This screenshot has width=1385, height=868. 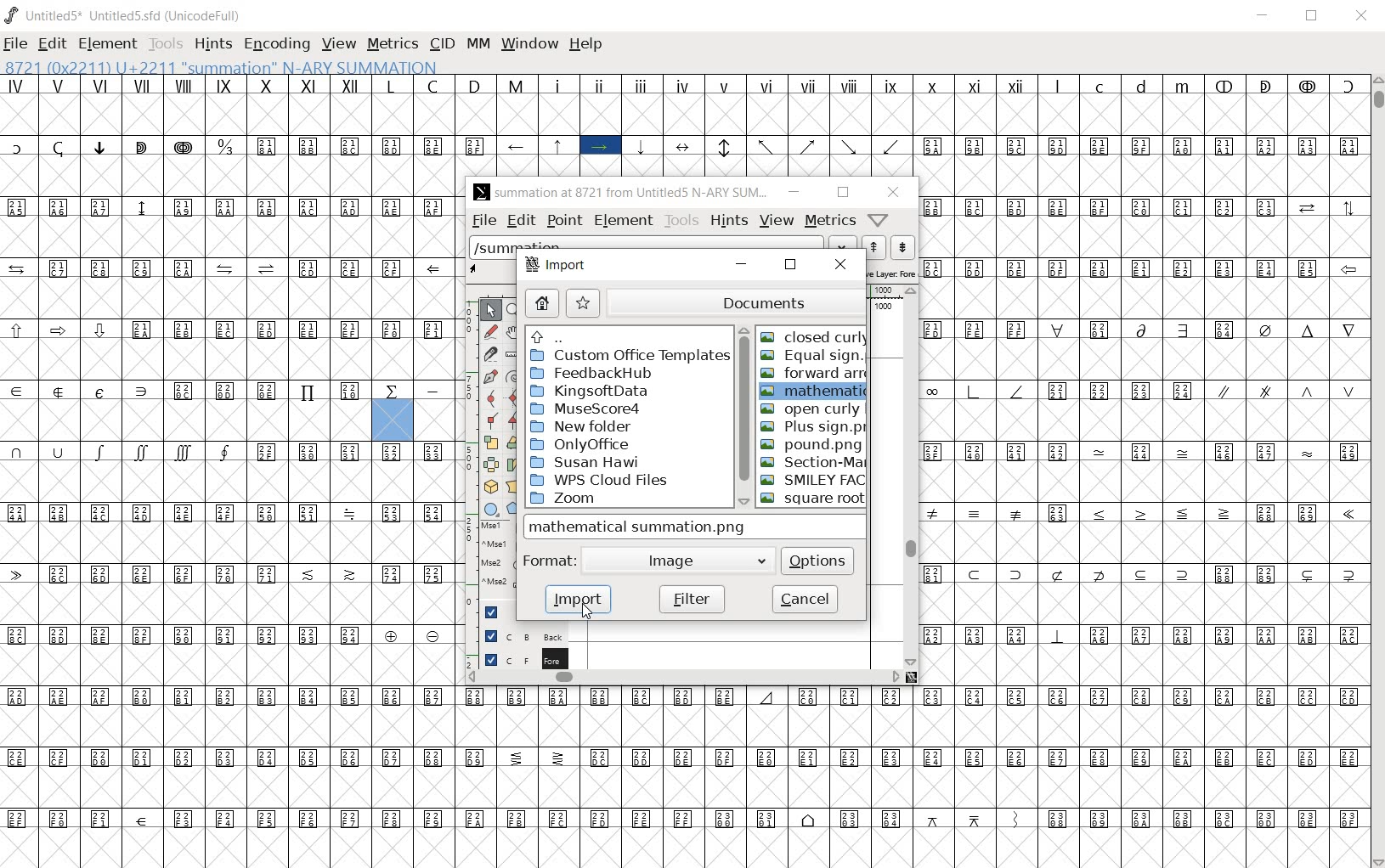 What do you see at coordinates (742, 266) in the screenshot?
I see `minimize` at bounding box center [742, 266].